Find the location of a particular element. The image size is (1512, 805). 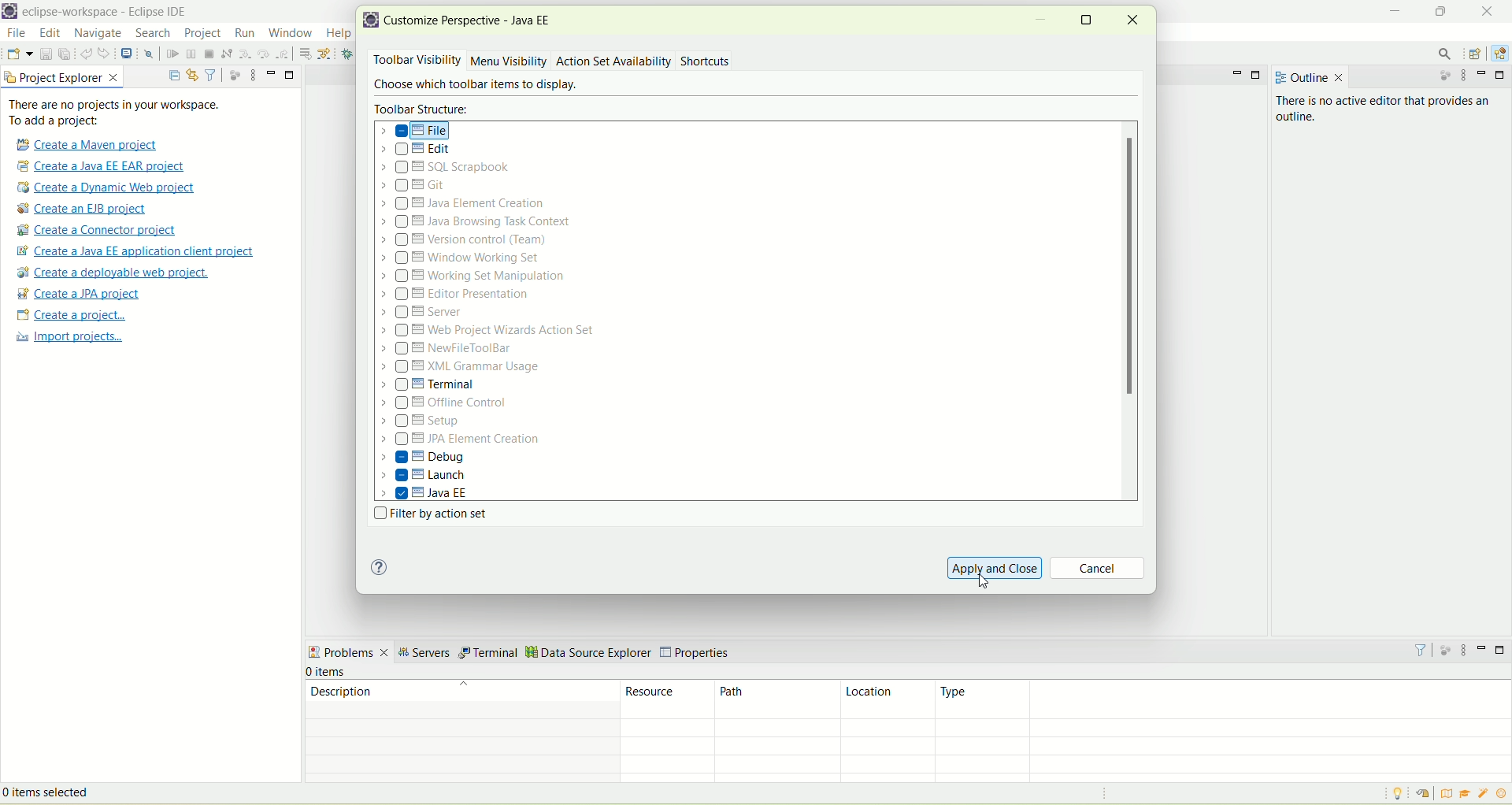

Create a Java EE application client proje t is located at coordinates (139, 251).